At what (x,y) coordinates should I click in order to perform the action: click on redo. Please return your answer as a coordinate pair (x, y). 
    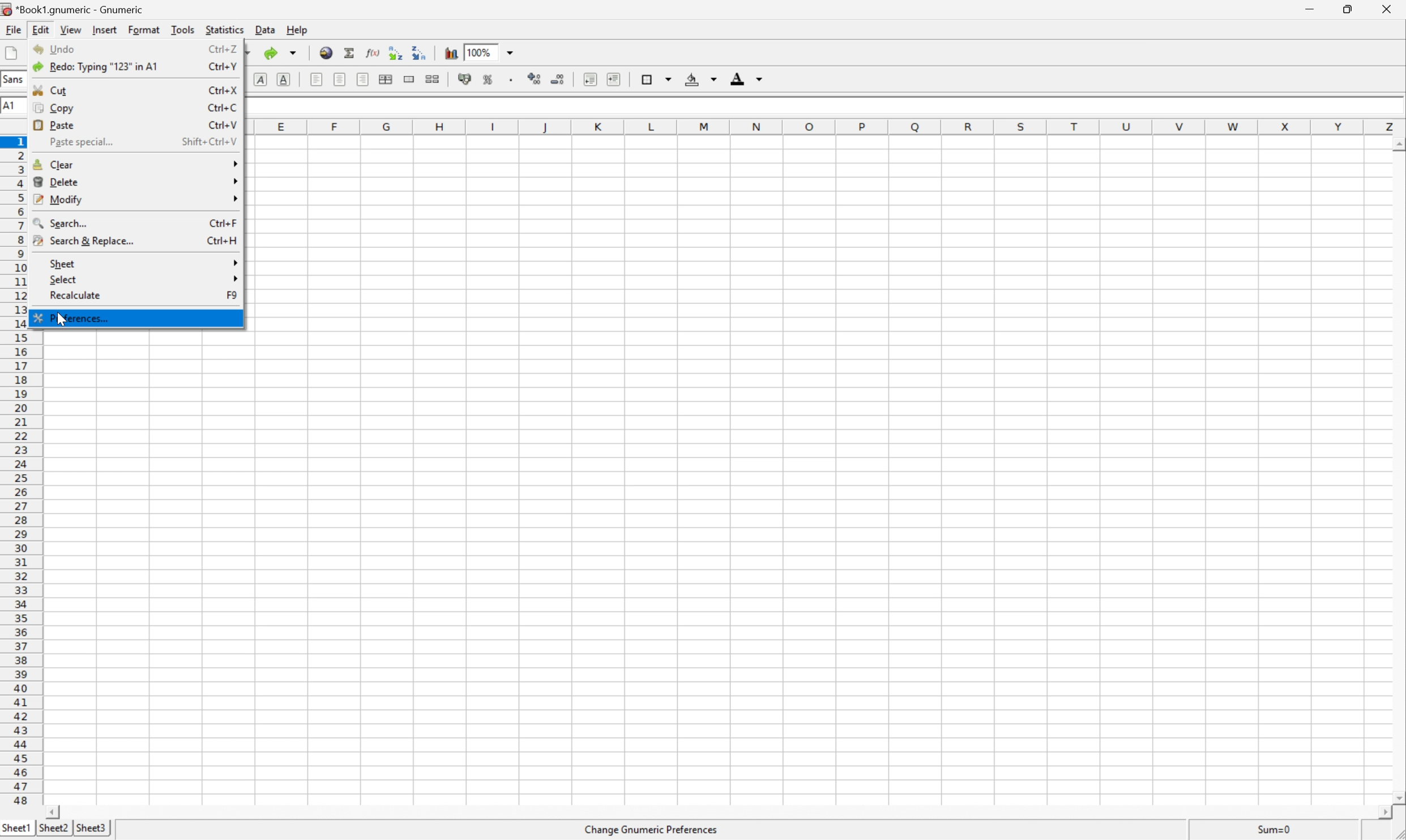
    Looking at the image, I should click on (282, 53).